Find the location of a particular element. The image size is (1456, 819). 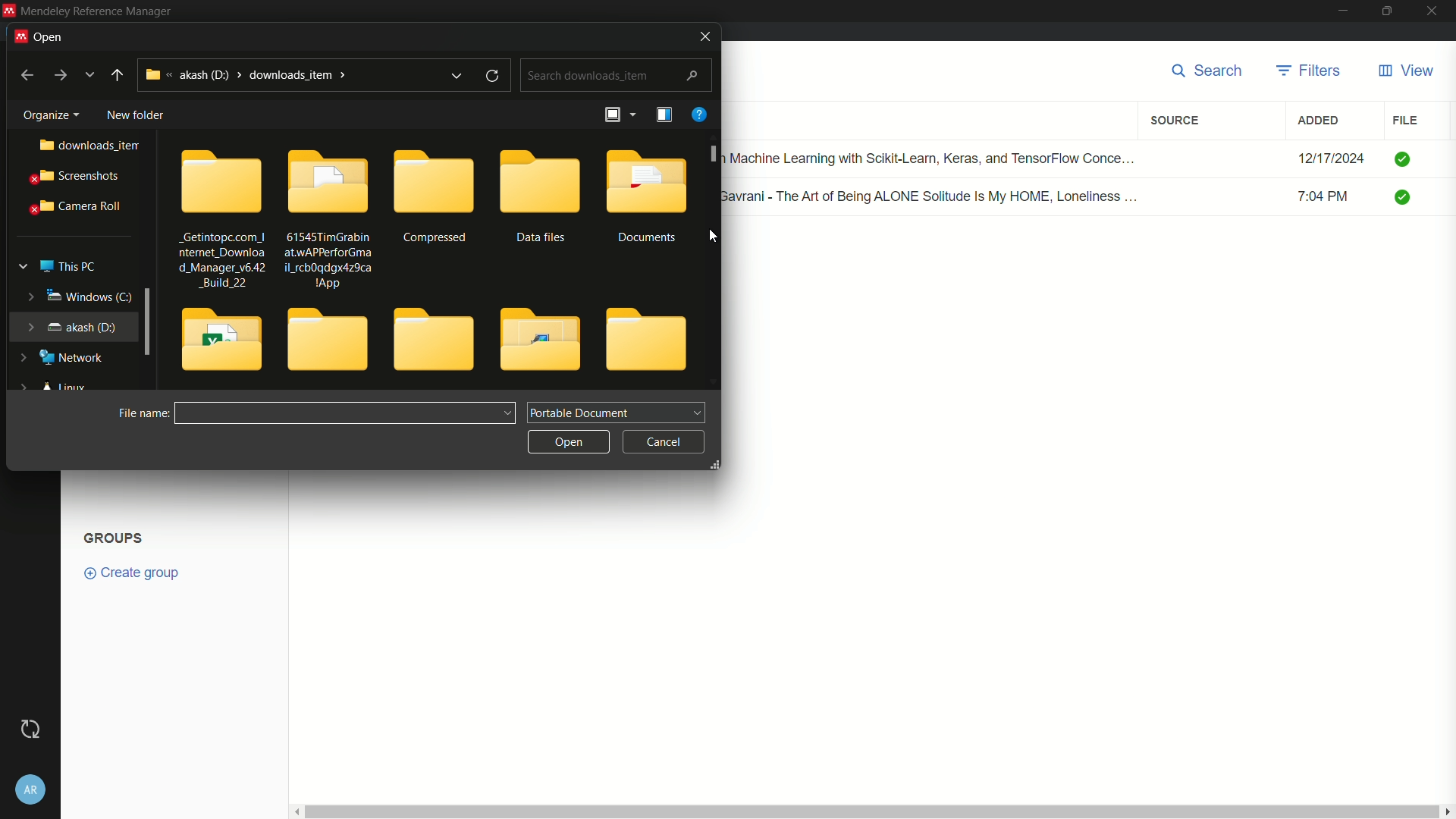

check is located at coordinates (1404, 158).